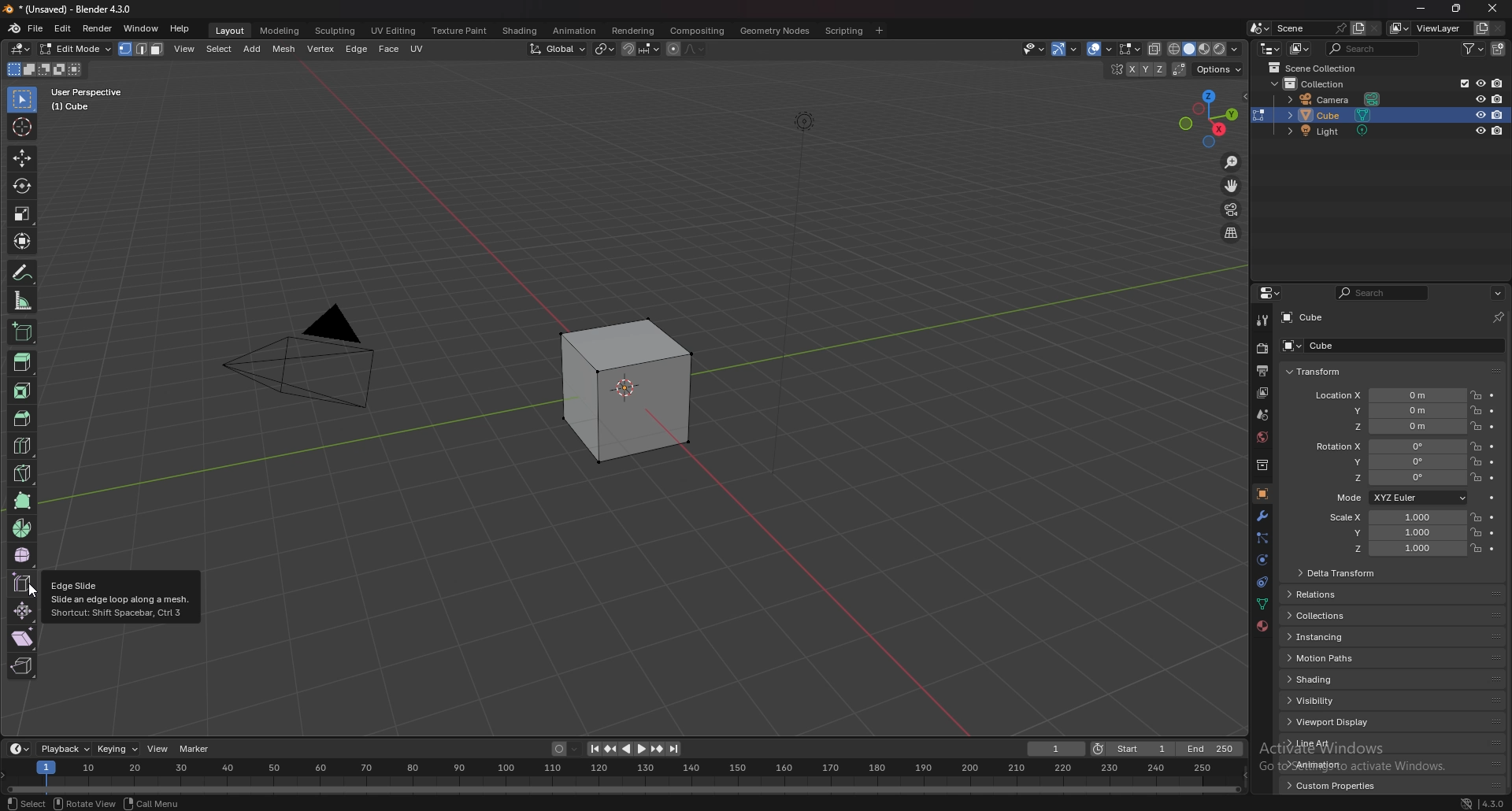 The width and height of the screenshot is (1512, 811). I want to click on animation, so click(576, 30).